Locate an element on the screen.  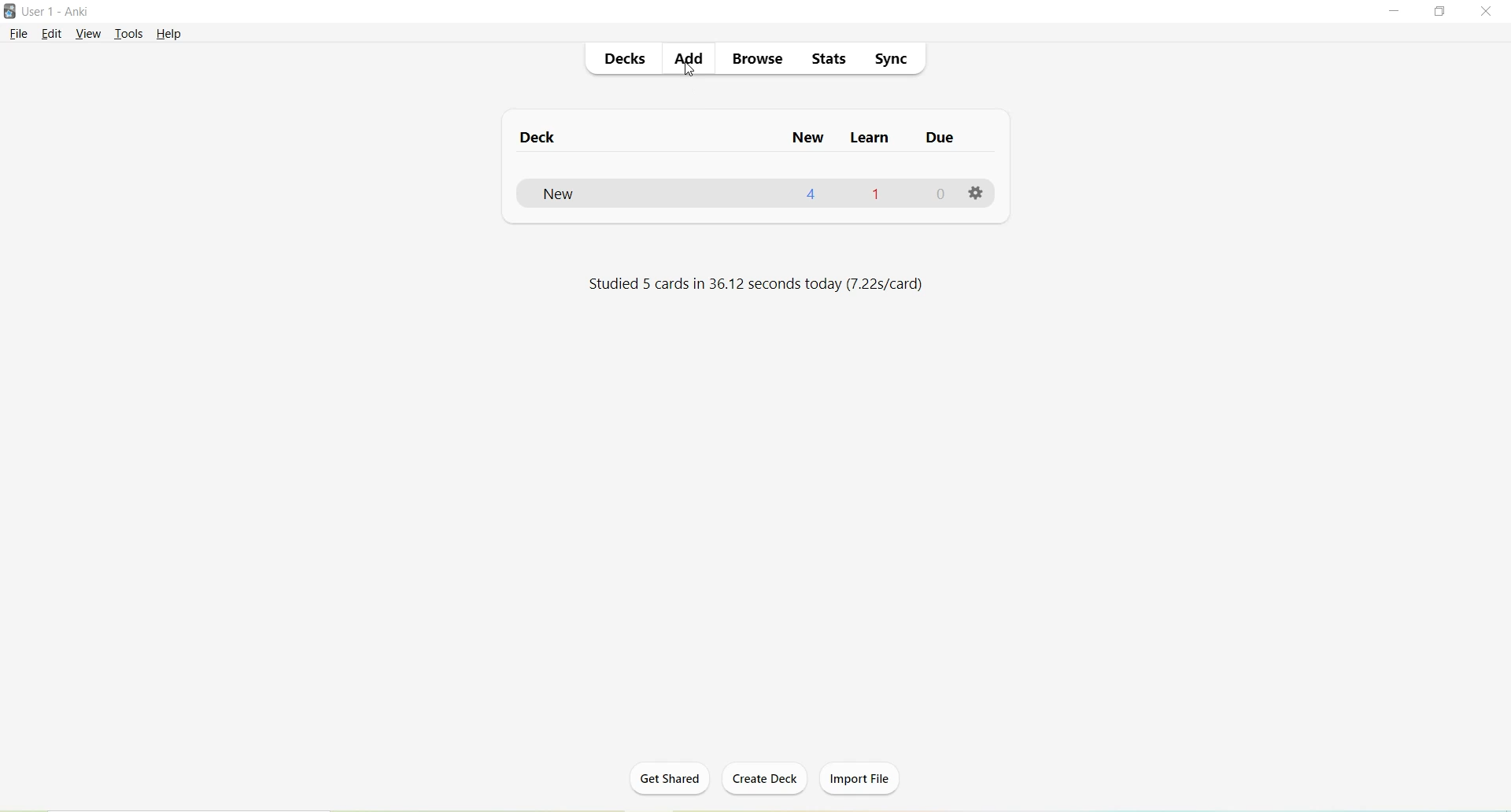
cursor is located at coordinates (690, 69).